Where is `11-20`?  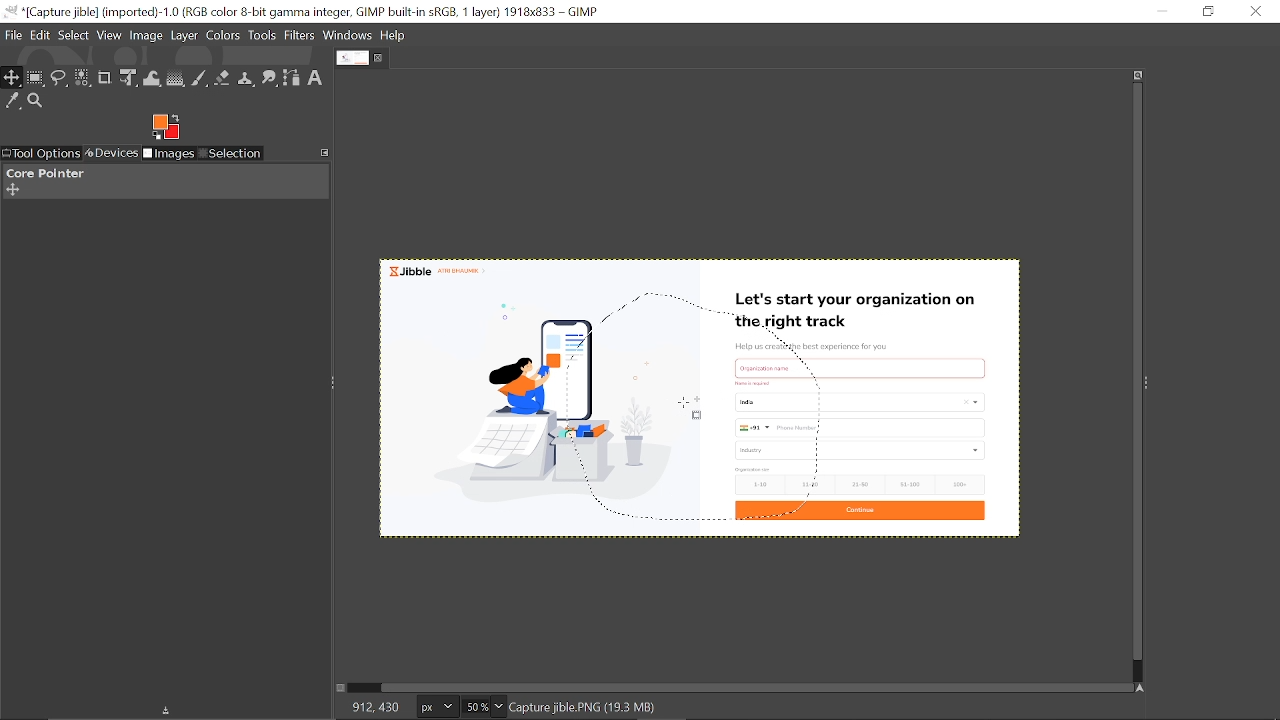
11-20 is located at coordinates (814, 483).